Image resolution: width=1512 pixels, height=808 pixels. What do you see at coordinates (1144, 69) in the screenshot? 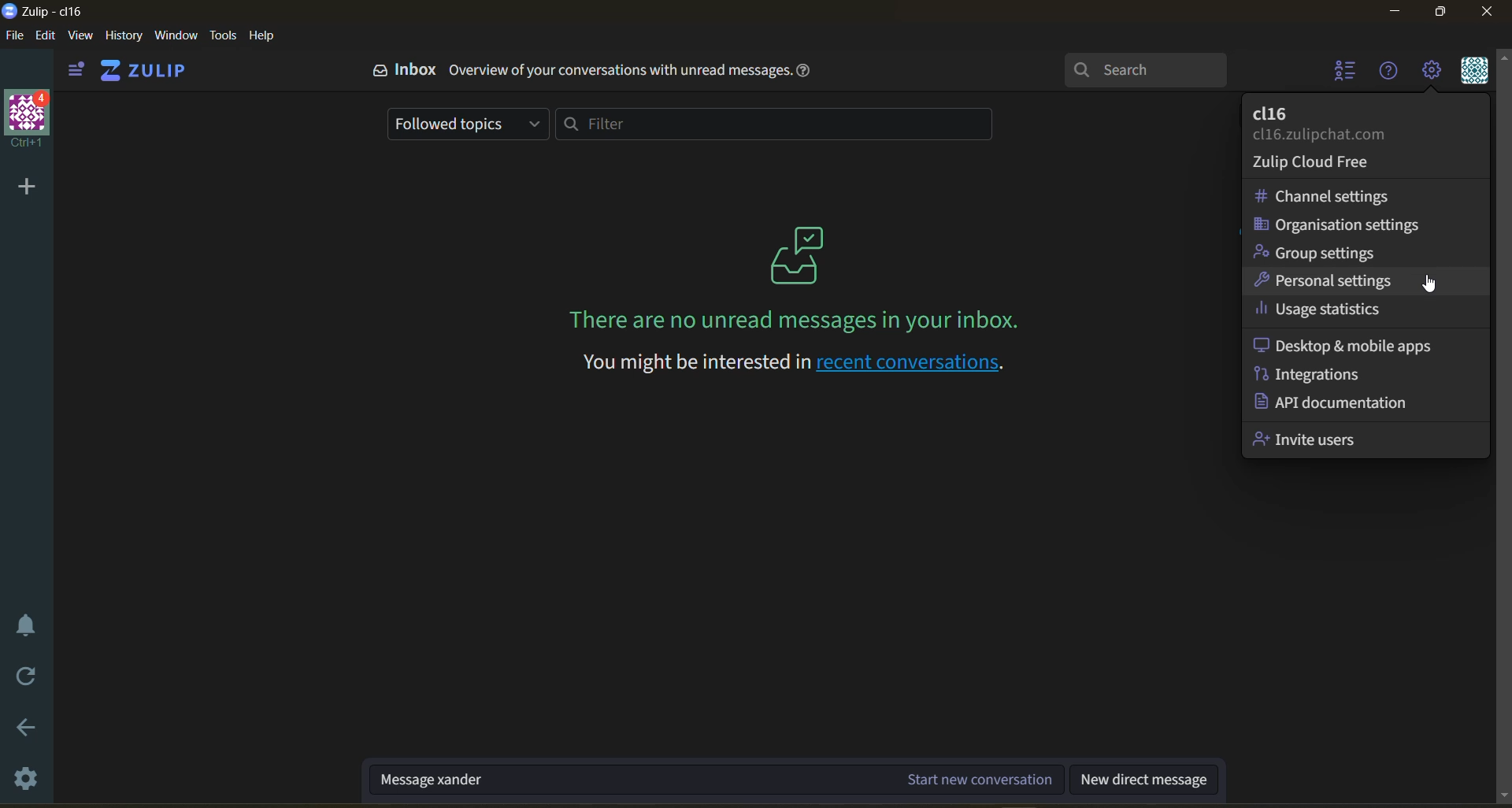
I see `search` at bounding box center [1144, 69].